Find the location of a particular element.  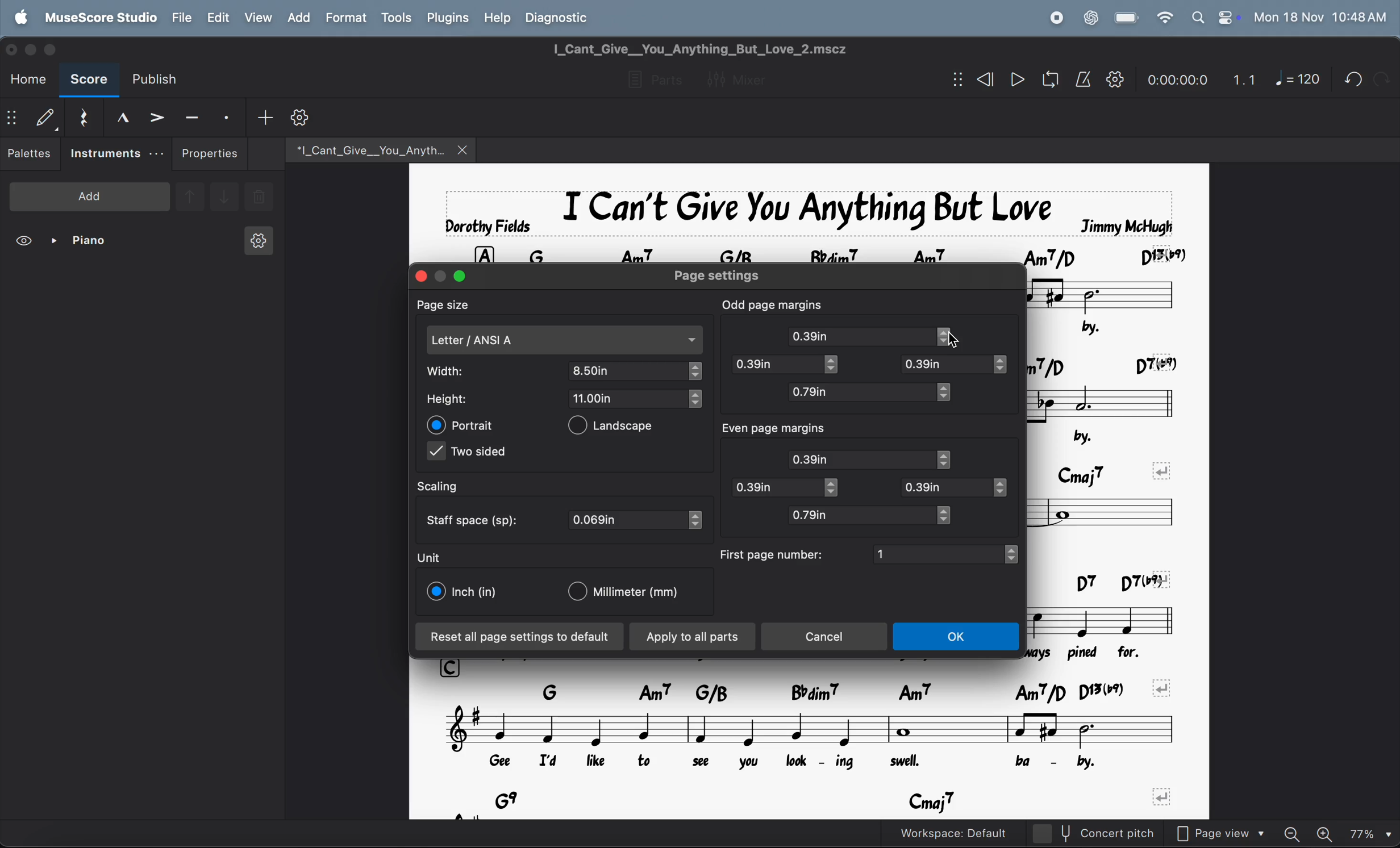

delete is located at coordinates (259, 198).